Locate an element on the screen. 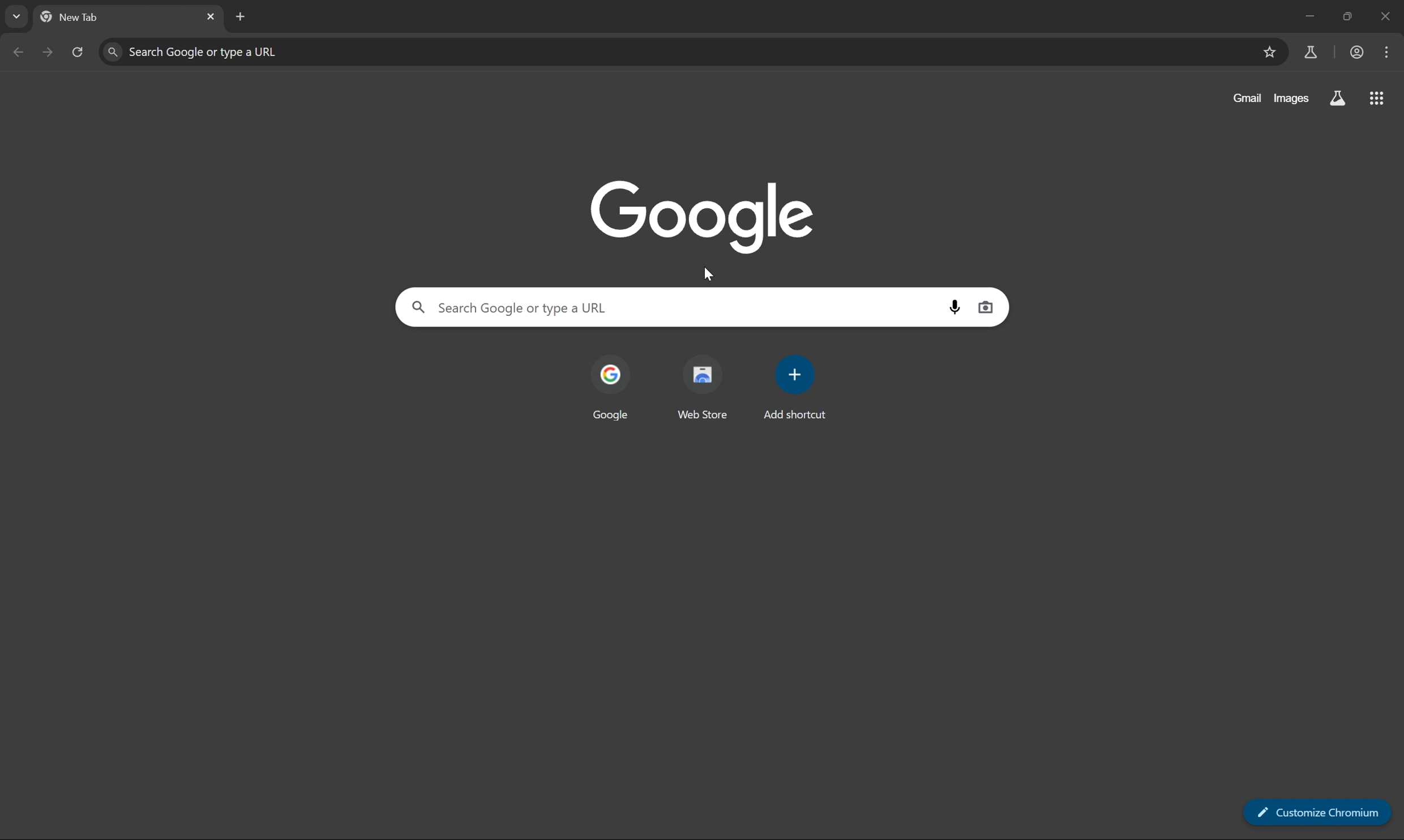 The image size is (1404, 840). google is located at coordinates (705, 217).